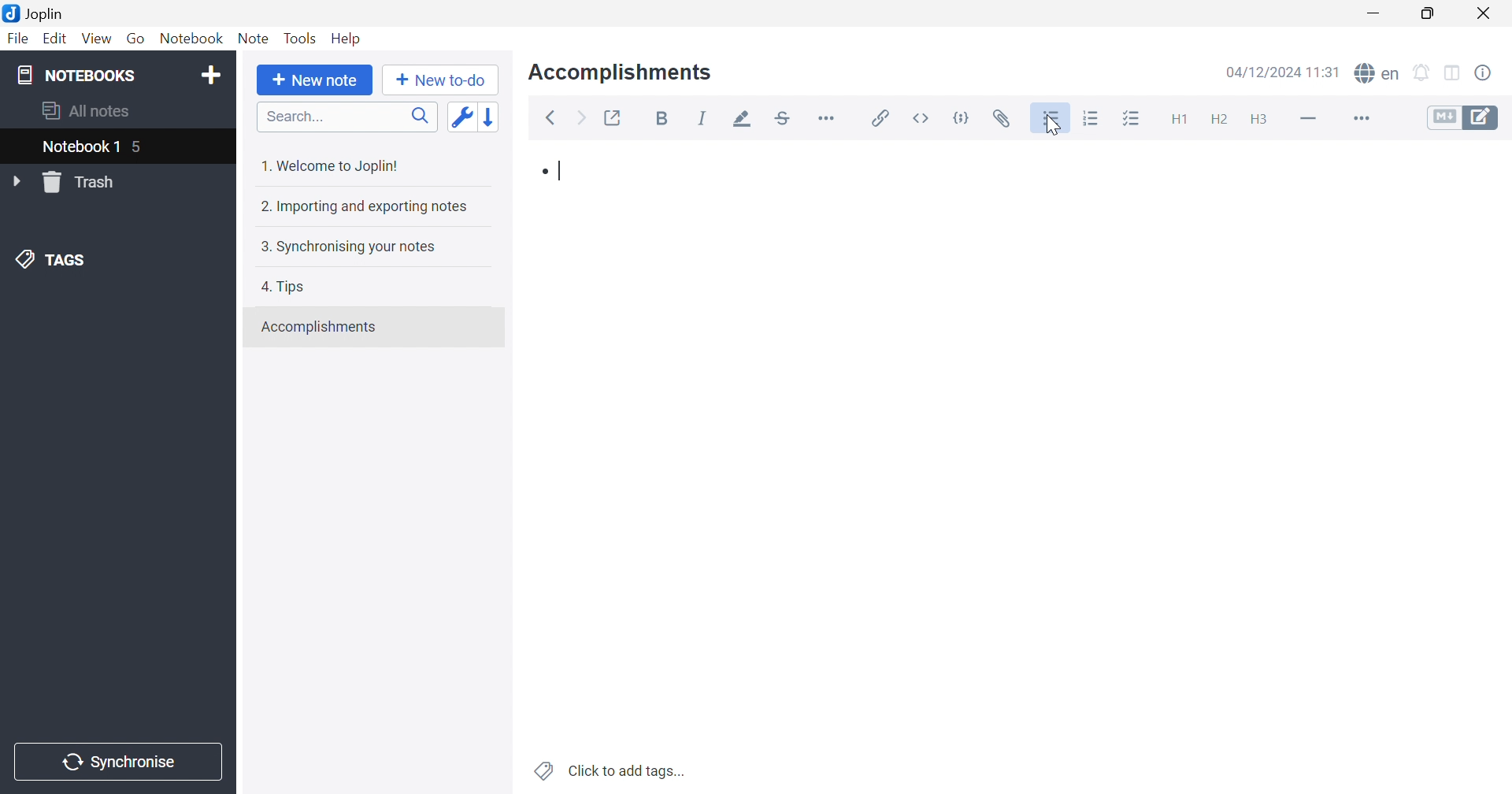  What do you see at coordinates (1311, 121) in the screenshot?
I see `Horizontal line` at bounding box center [1311, 121].